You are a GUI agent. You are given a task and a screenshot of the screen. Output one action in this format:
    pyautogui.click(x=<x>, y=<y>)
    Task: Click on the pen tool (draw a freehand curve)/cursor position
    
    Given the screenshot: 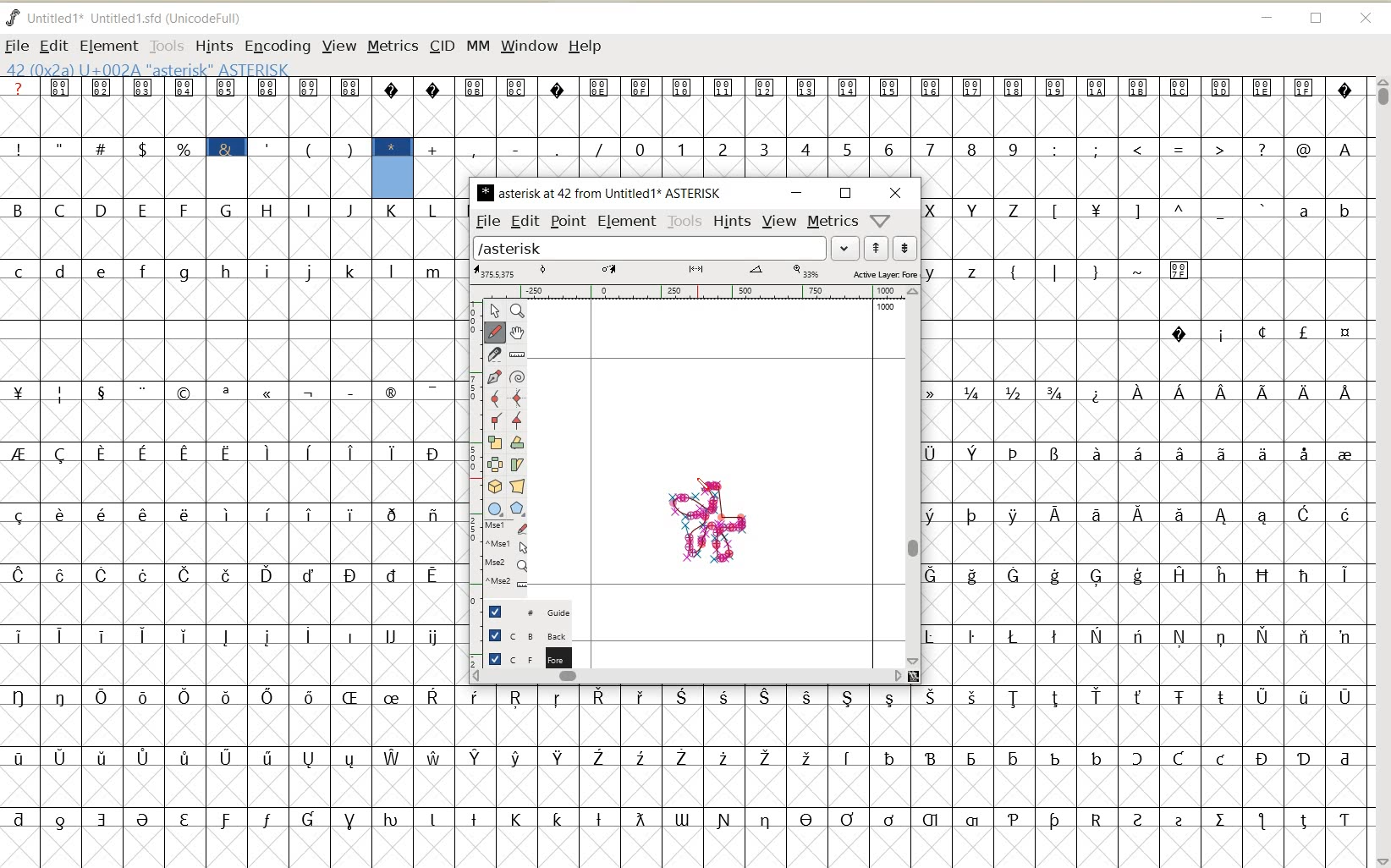 What is the action you would take?
    pyautogui.click(x=715, y=489)
    